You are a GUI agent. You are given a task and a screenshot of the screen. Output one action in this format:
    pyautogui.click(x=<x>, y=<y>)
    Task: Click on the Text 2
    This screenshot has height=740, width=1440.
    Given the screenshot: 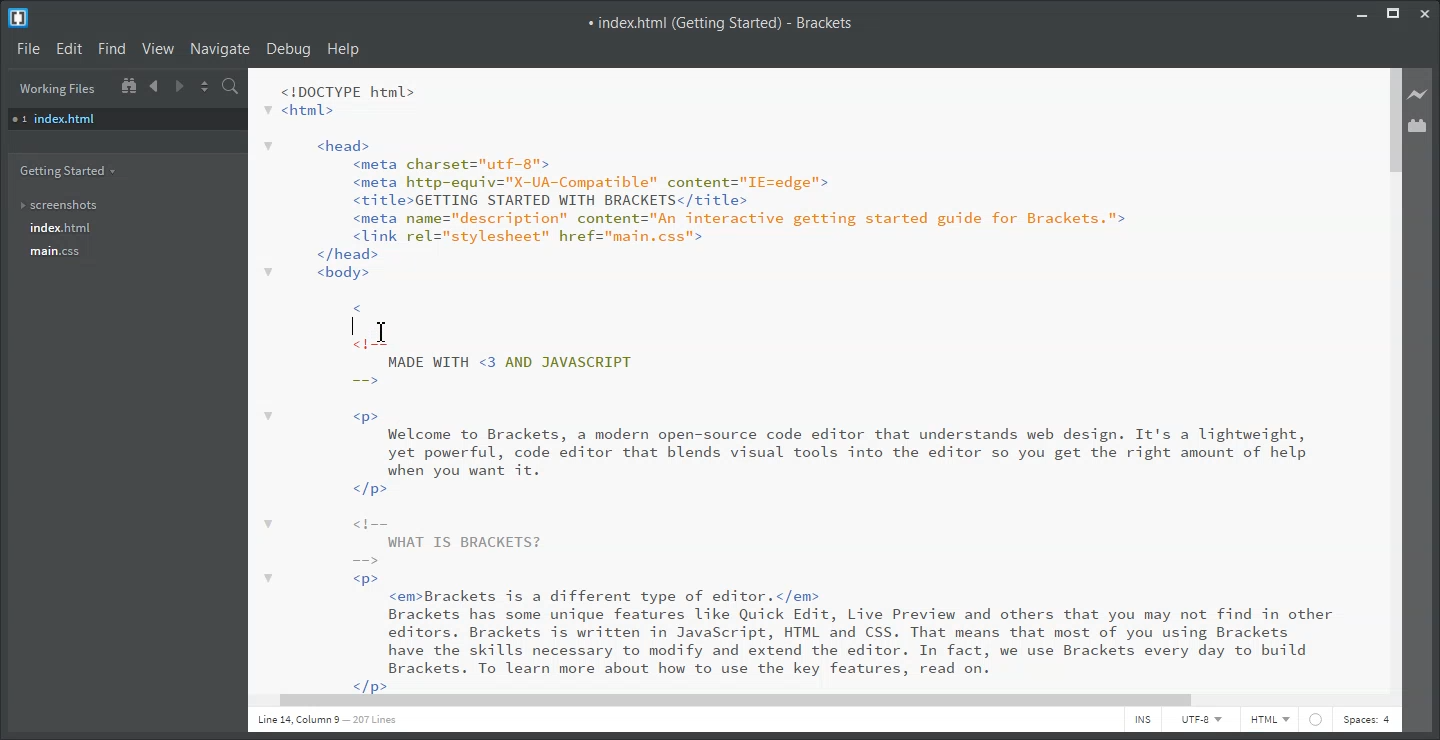 What is the action you would take?
    pyautogui.click(x=798, y=380)
    